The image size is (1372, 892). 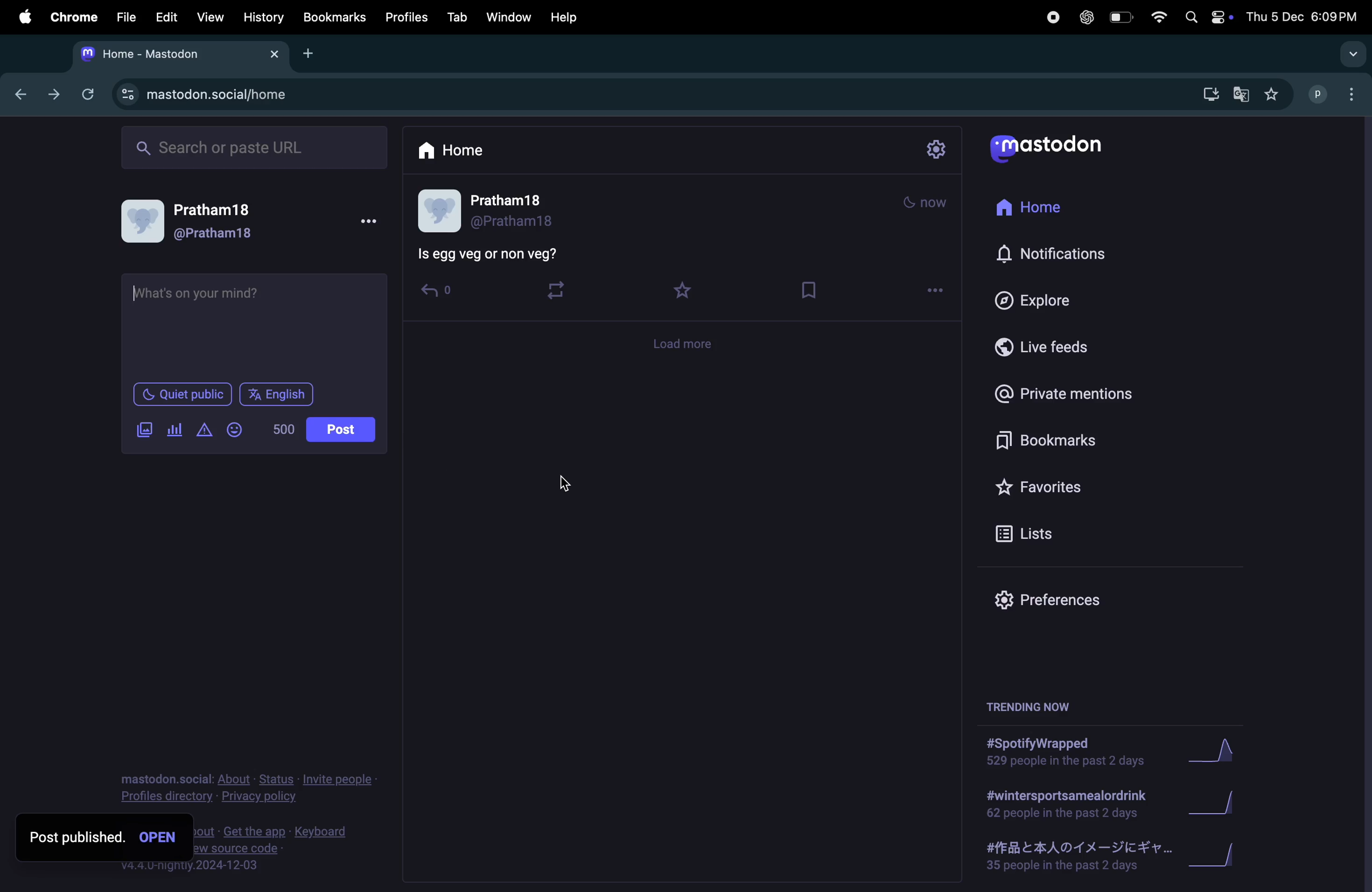 I want to click on favourites, so click(x=1275, y=97).